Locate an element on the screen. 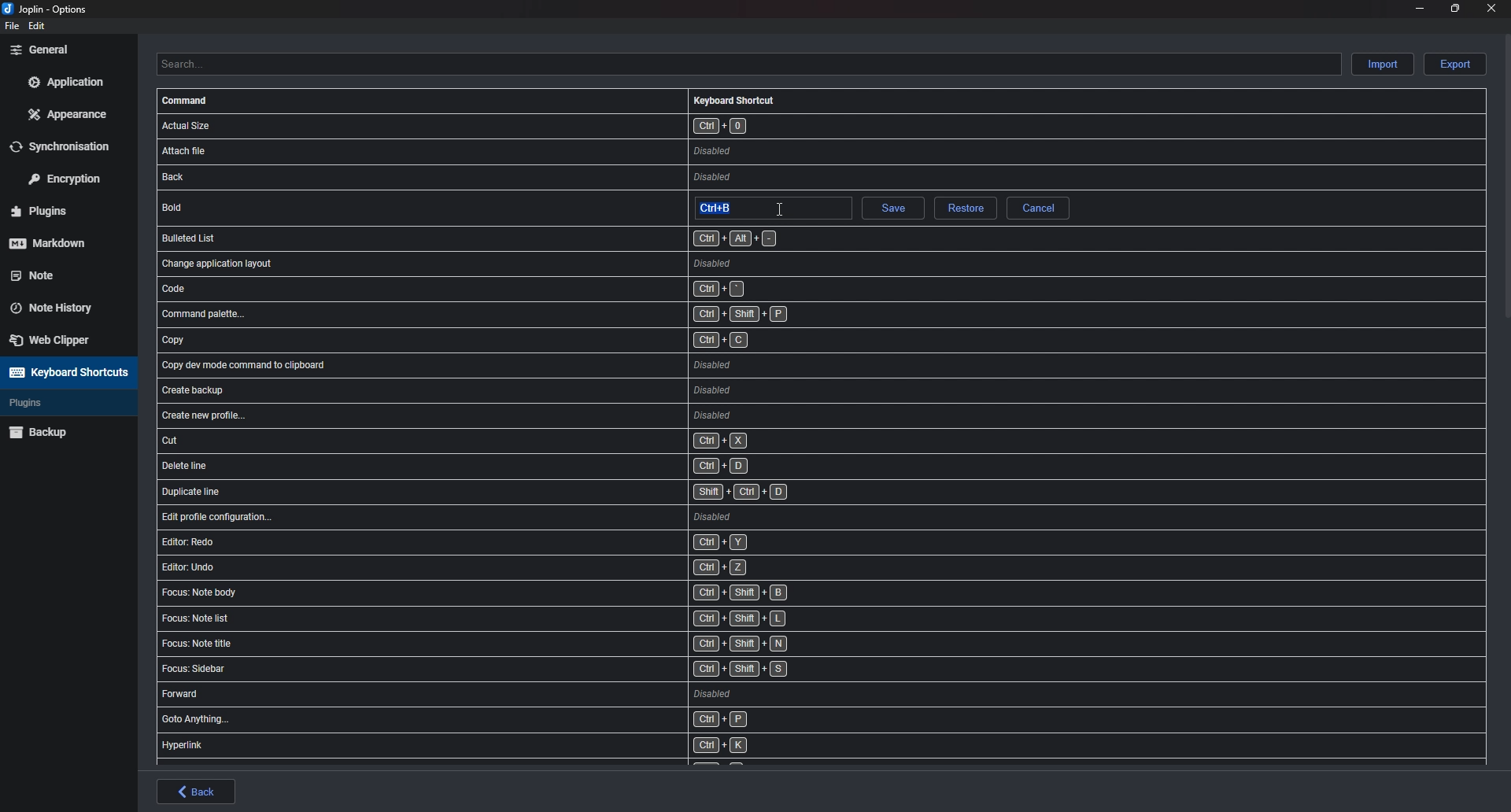  Encryption is located at coordinates (70, 177).